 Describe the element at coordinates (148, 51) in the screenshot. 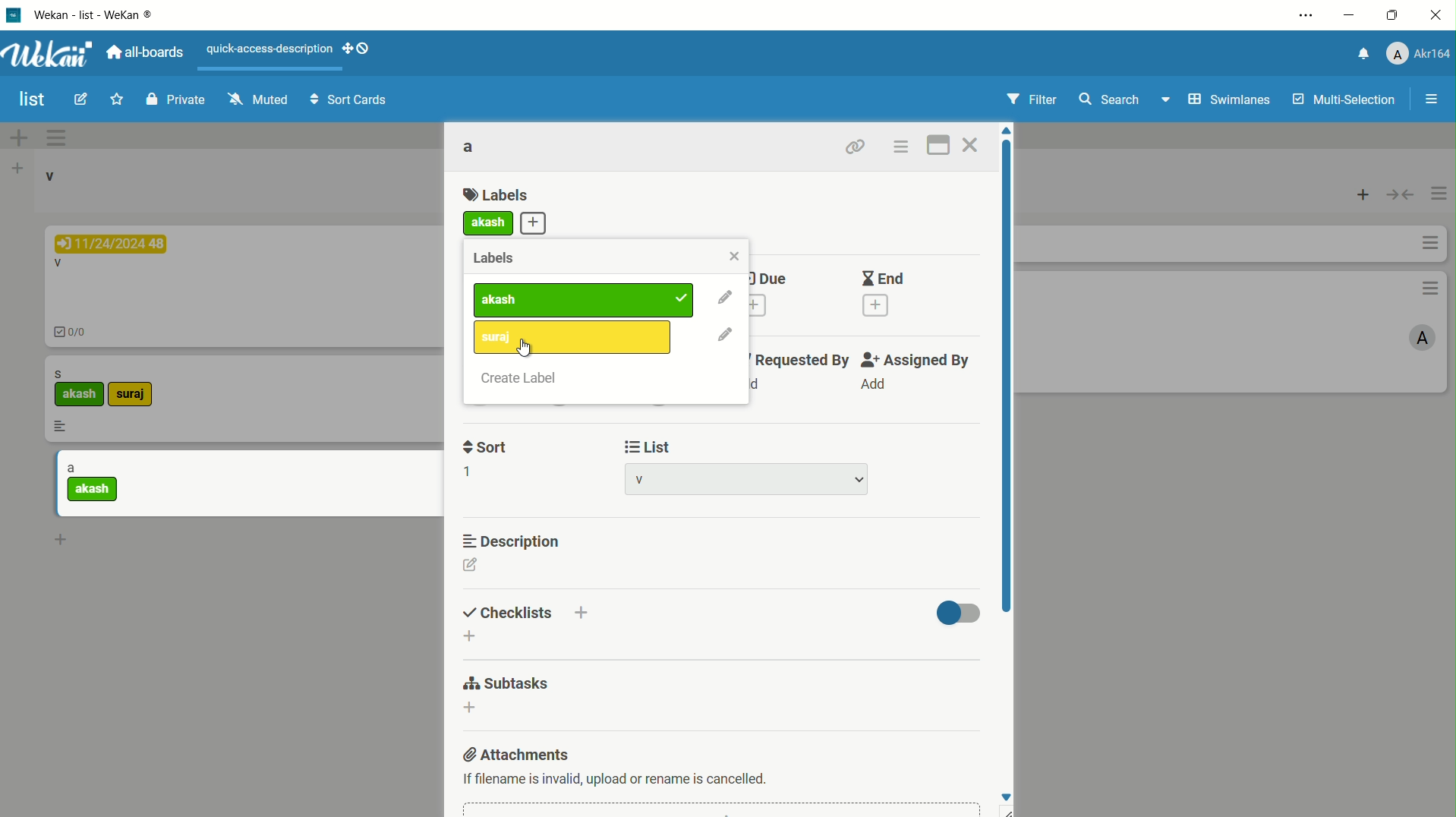

I see `all boards` at that location.